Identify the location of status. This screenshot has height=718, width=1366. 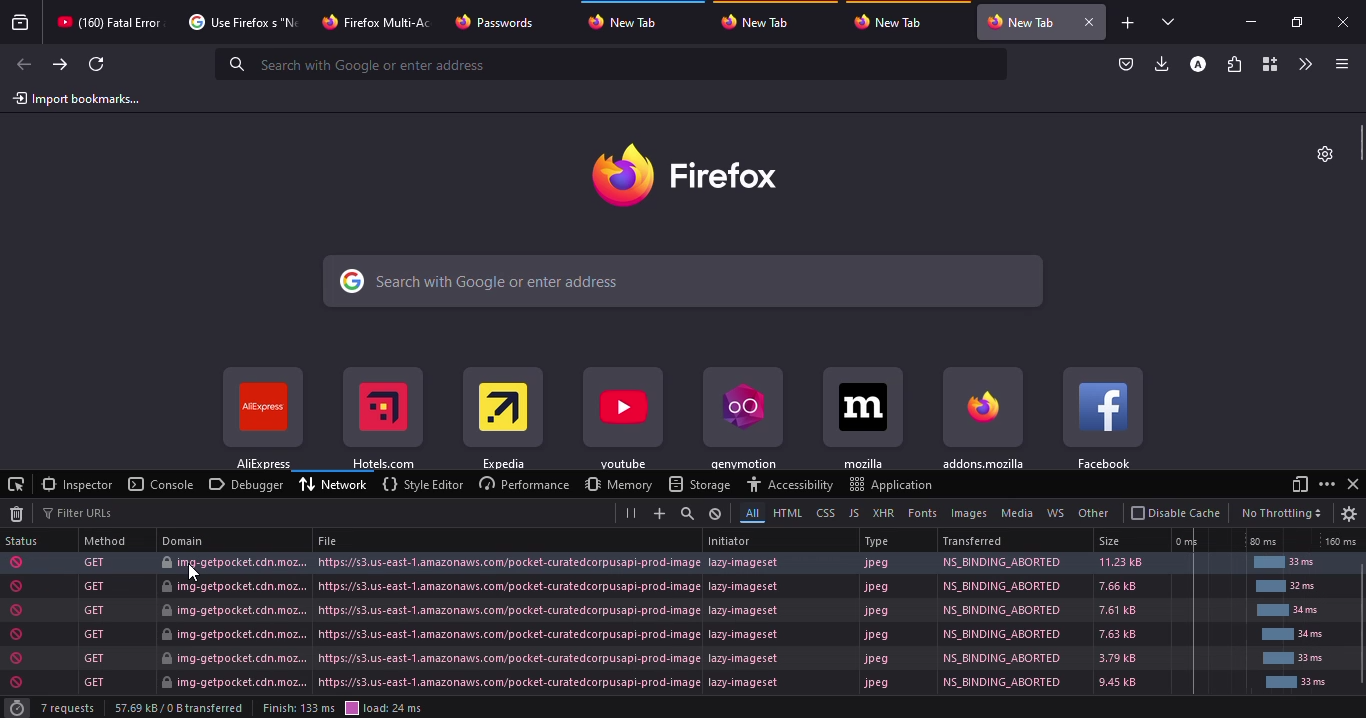
(665, 610).